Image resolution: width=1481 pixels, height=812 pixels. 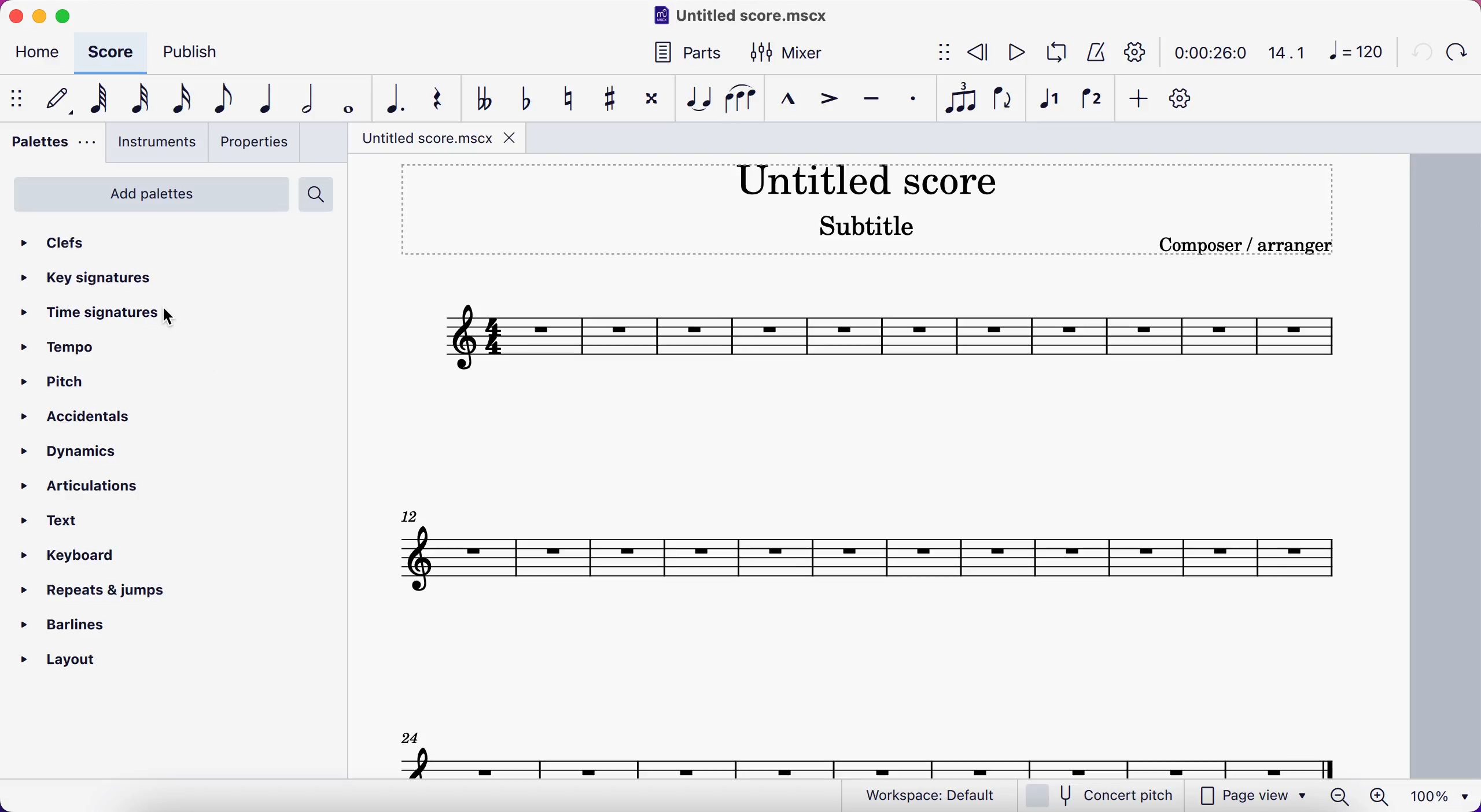 I want to click on cursor, so click(x=173, y=318).